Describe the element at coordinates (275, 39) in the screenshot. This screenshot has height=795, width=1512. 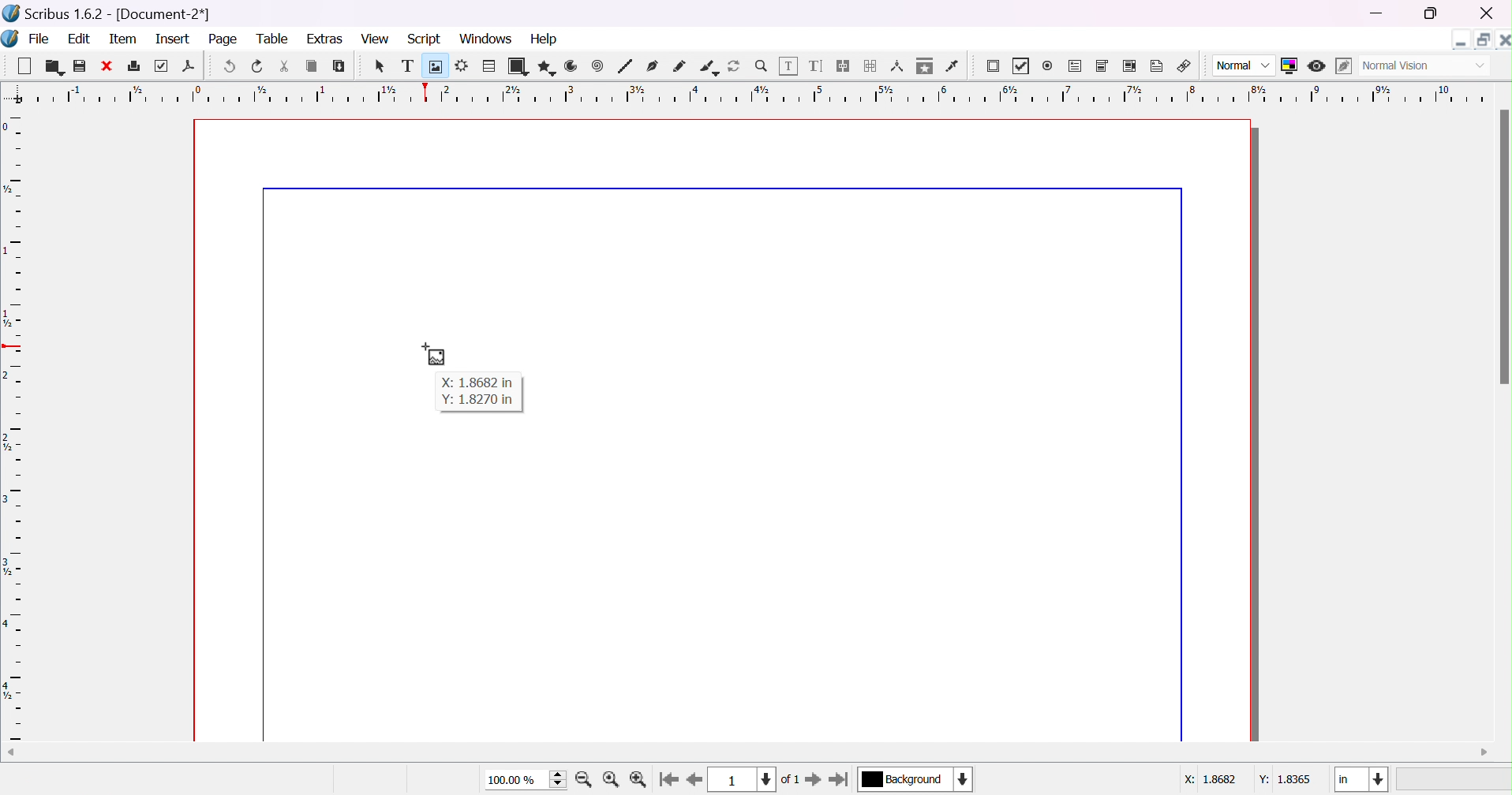
I see `table` at that location.